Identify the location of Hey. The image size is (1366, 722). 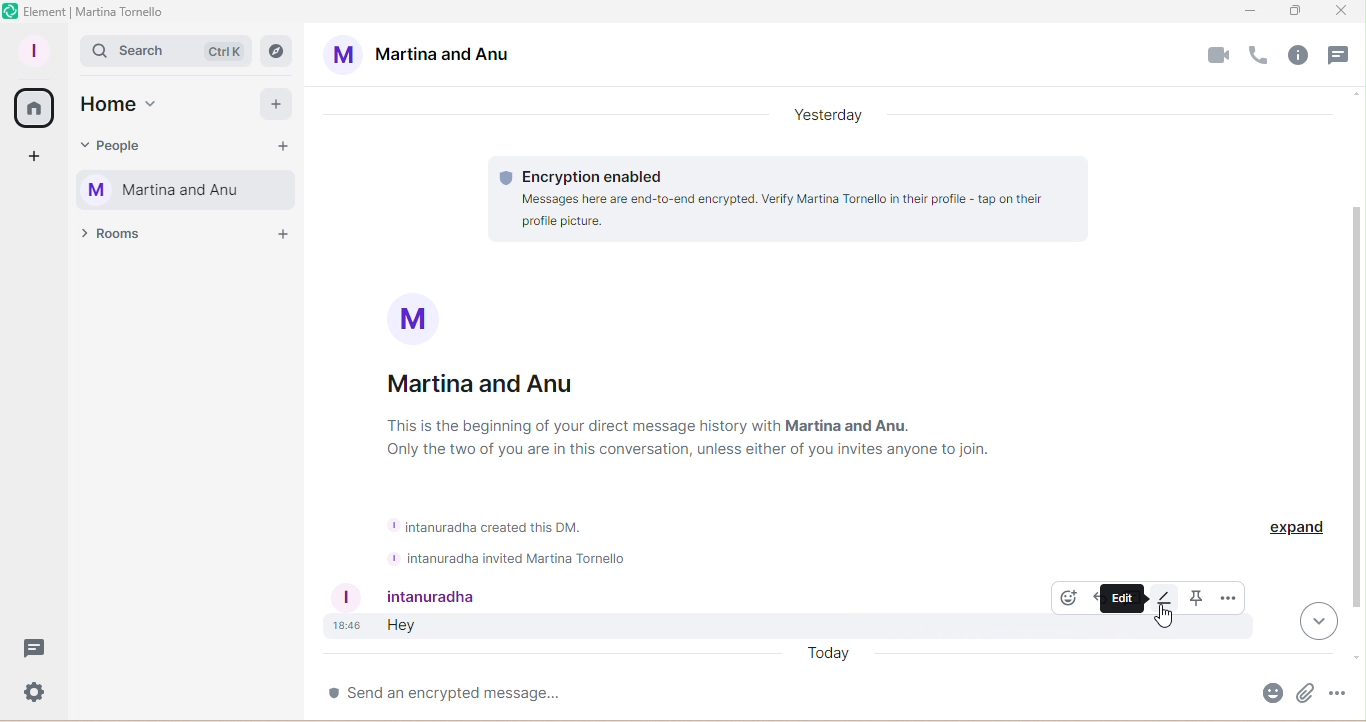
(404, 627).